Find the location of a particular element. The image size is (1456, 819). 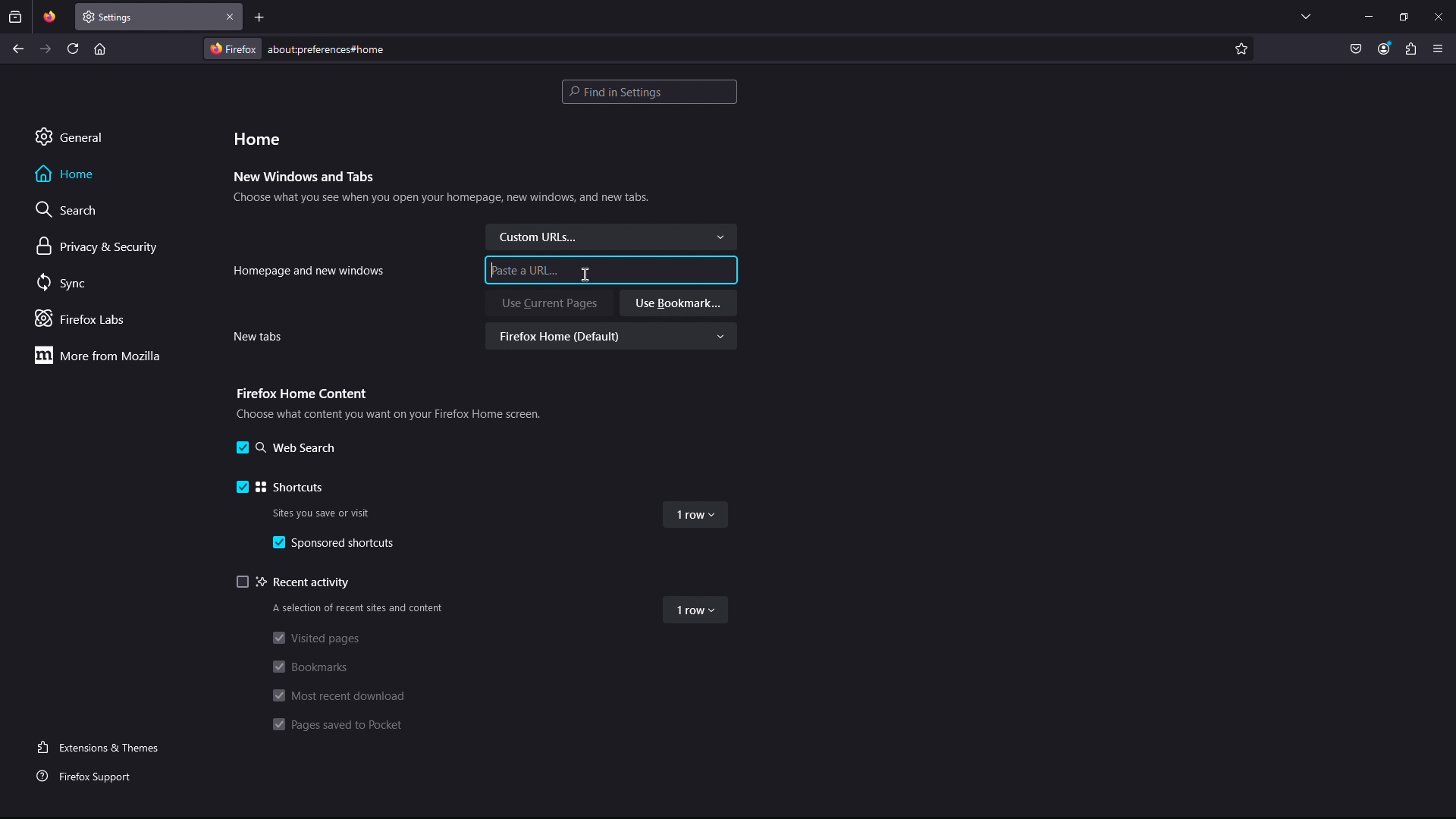

Home is located at coordinates (66, 174).